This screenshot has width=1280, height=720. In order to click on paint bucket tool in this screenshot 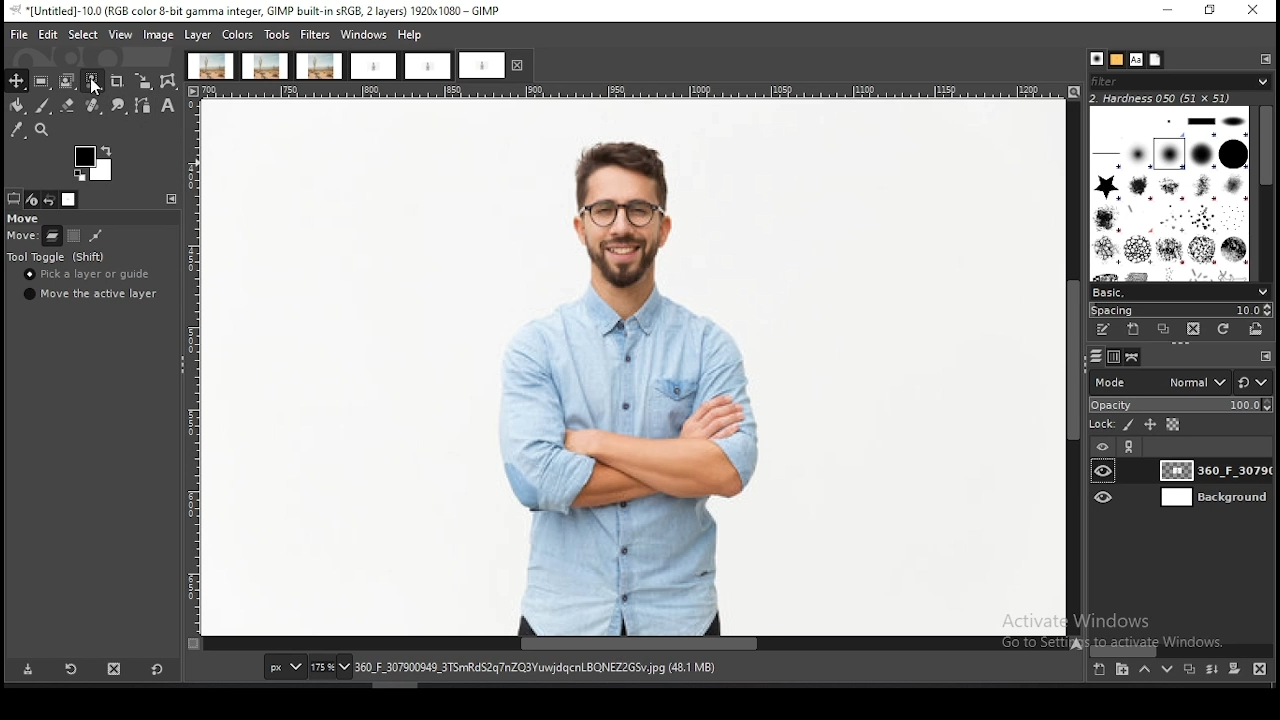, I will do `click(15, 106)`.